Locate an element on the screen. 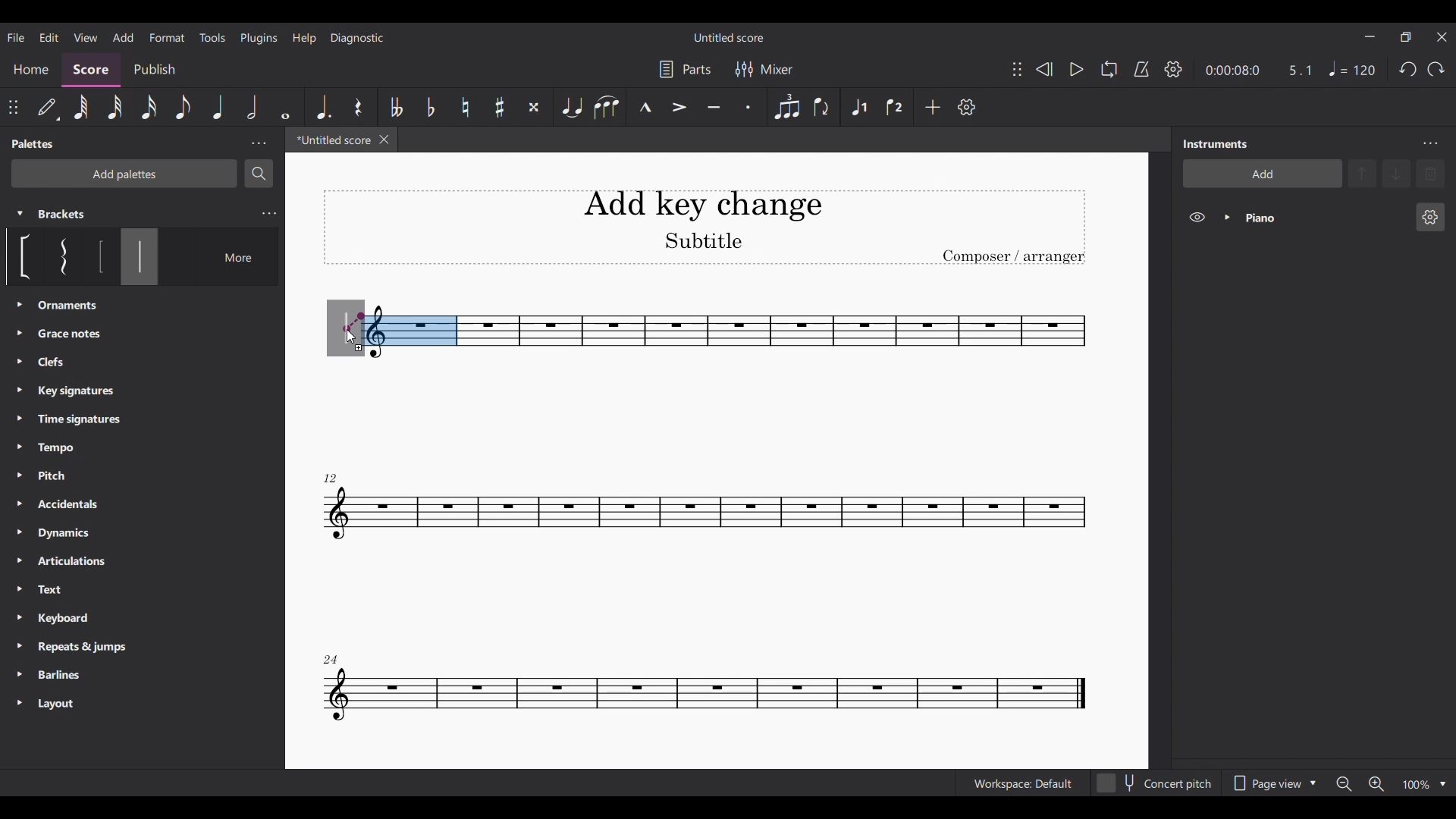 Image resolution: width=1456 pixels, height=819 pixels. Slur is located at coordinates (606, 108).